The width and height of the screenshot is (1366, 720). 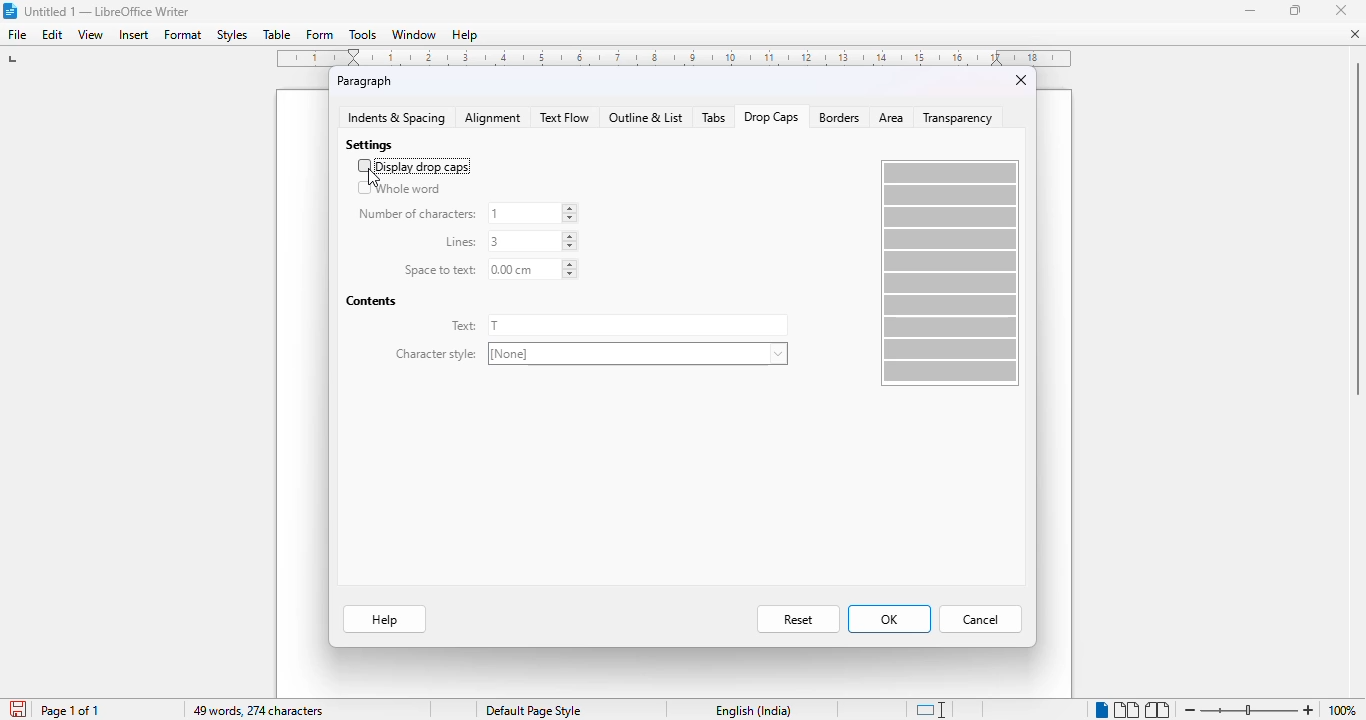 What do you see at coordinates (277, 34) in the screenshot?
I see `table` at bounding box center [277, 34].